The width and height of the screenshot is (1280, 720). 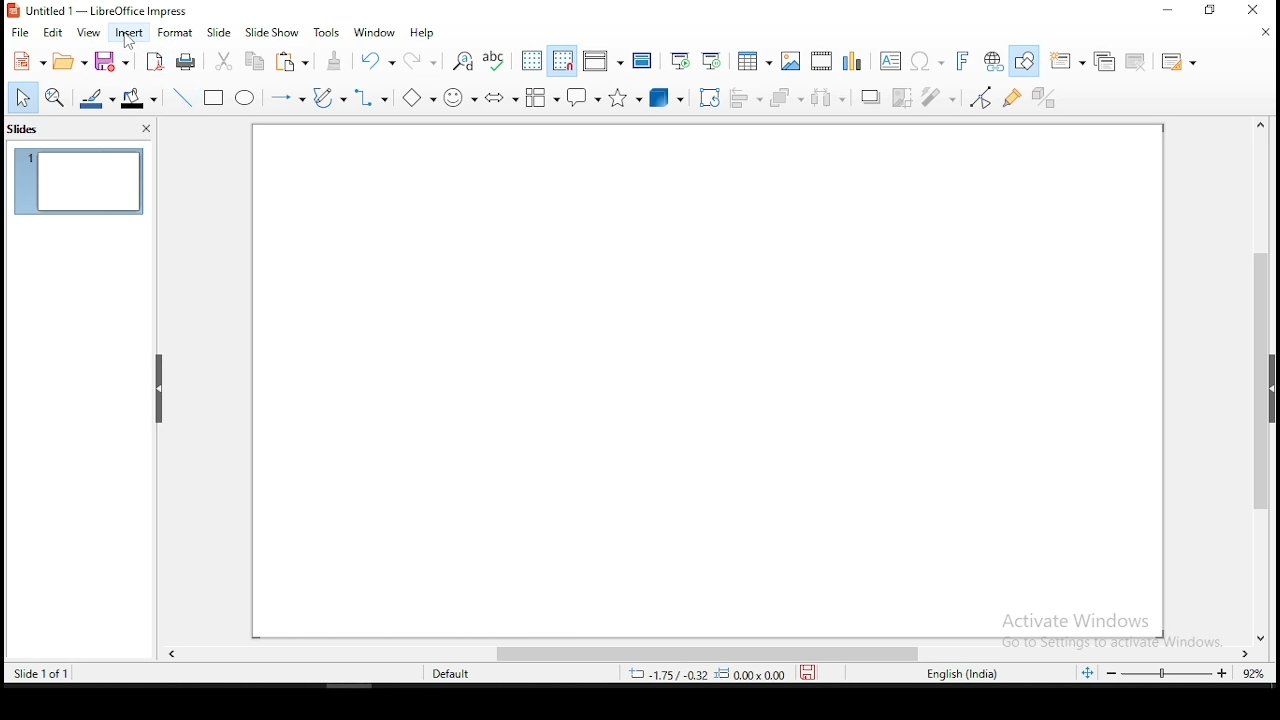 What do you see at coordinates (258, 62) in the screenshot?
I see `copy` at bounding box center [258, 62].